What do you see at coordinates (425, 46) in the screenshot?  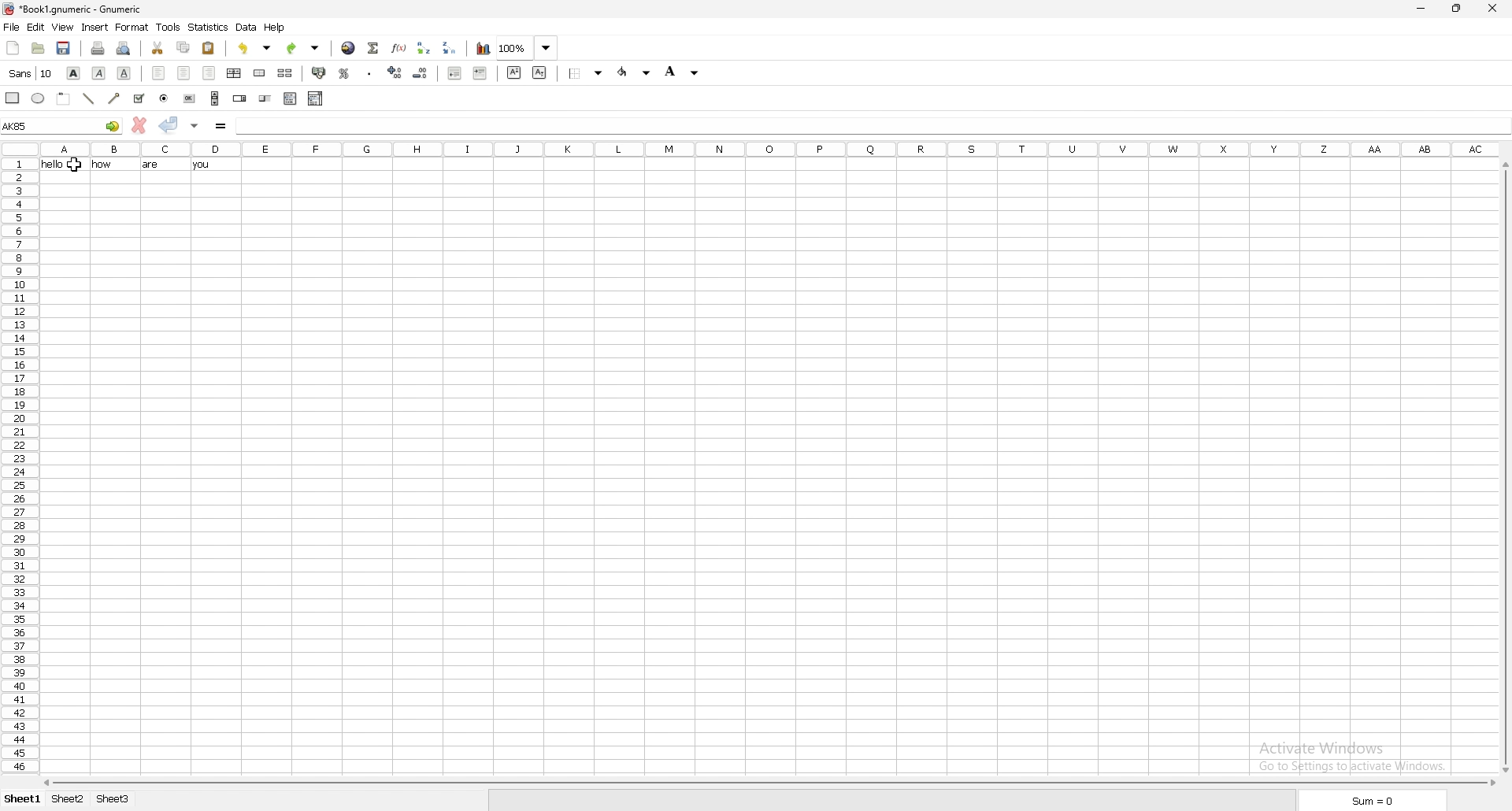 I see `sort ascending` at bounding box center [425, 46].